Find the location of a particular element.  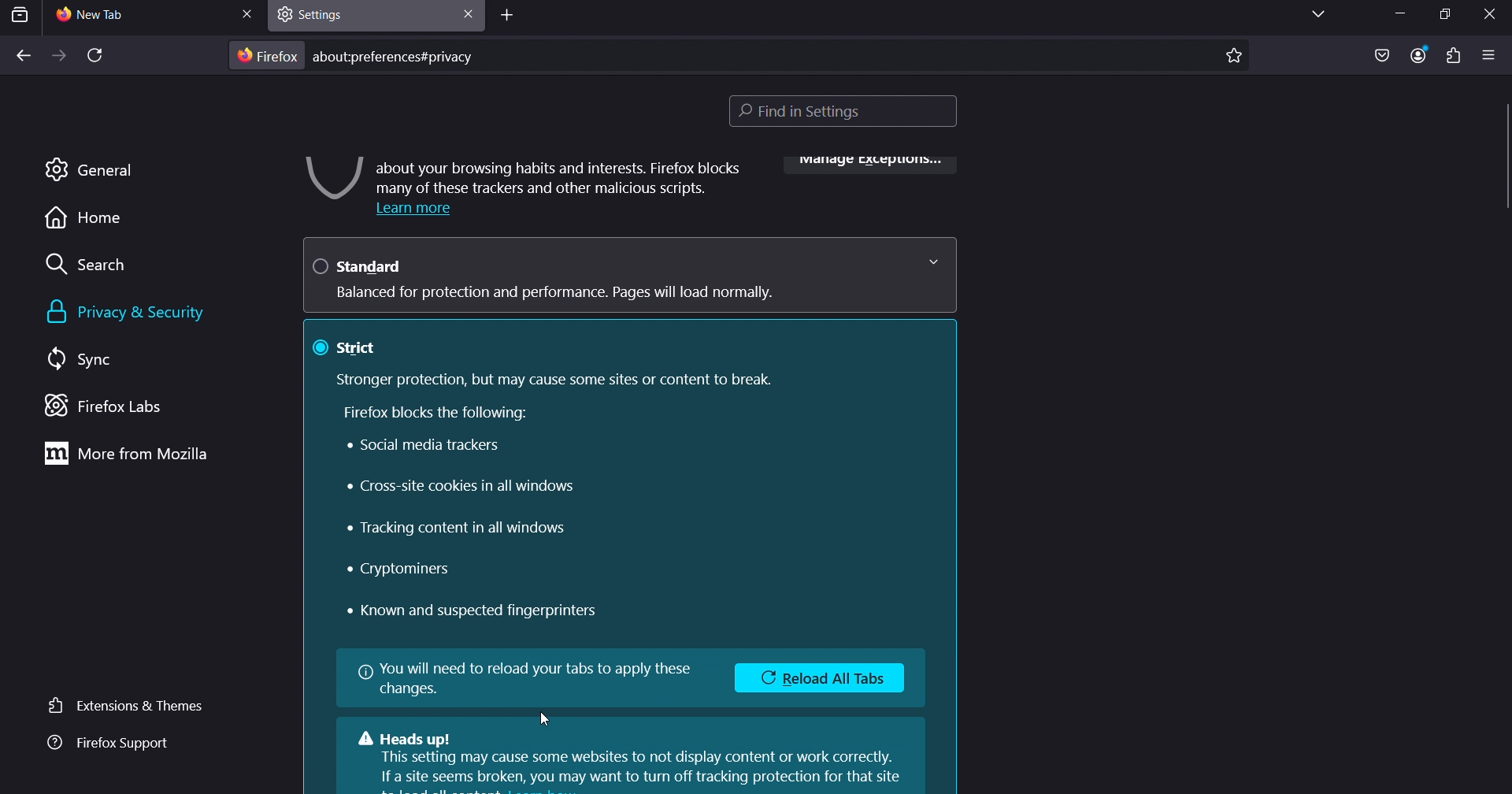

Heads up!This setting may cause some websites to not display content or work correctly.If a site seems broken, you may want to turn off tracking protection for that site is located at coordinates (628, 757).